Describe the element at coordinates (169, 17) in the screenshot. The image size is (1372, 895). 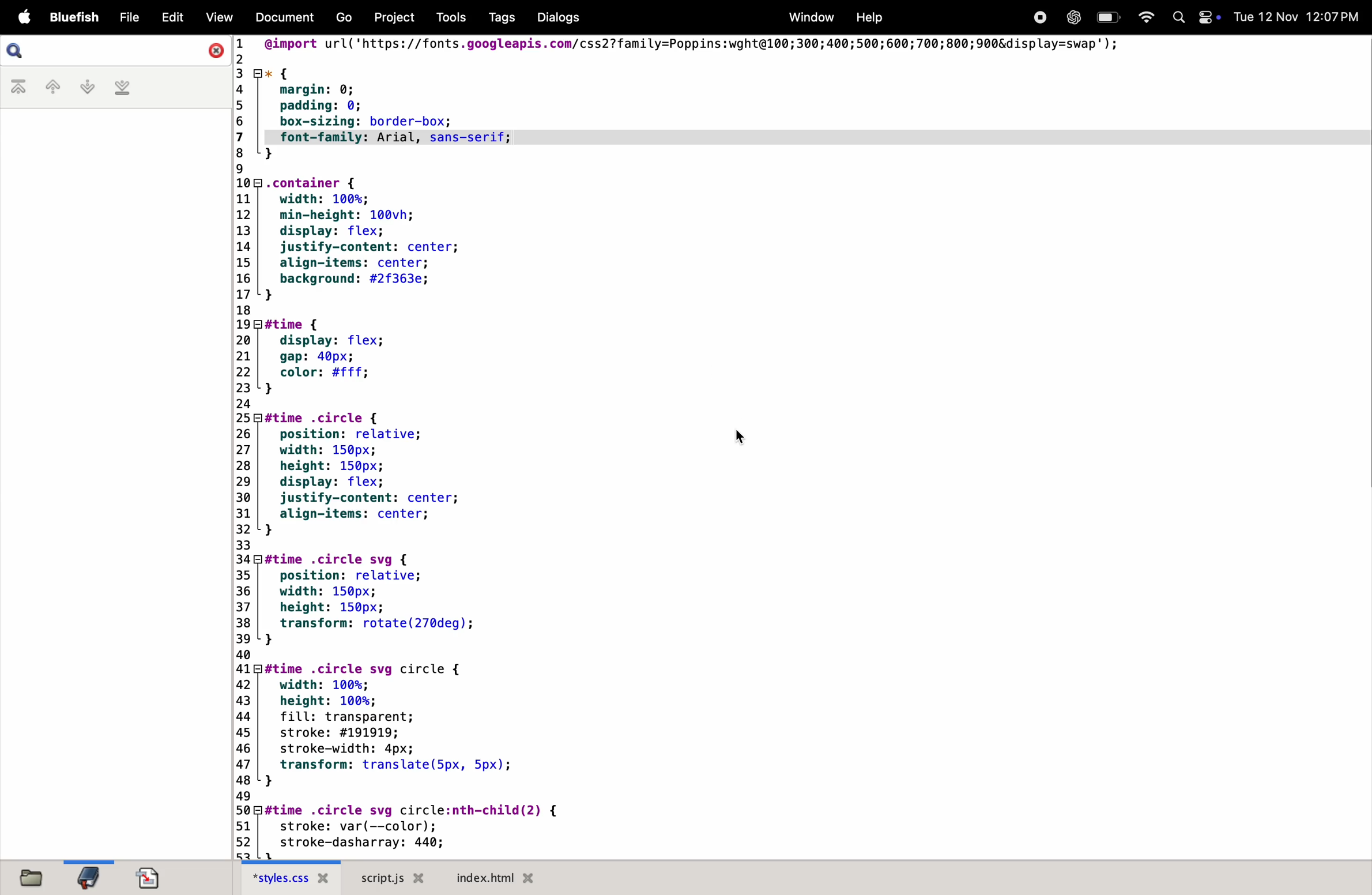
I see `edit` at that location.